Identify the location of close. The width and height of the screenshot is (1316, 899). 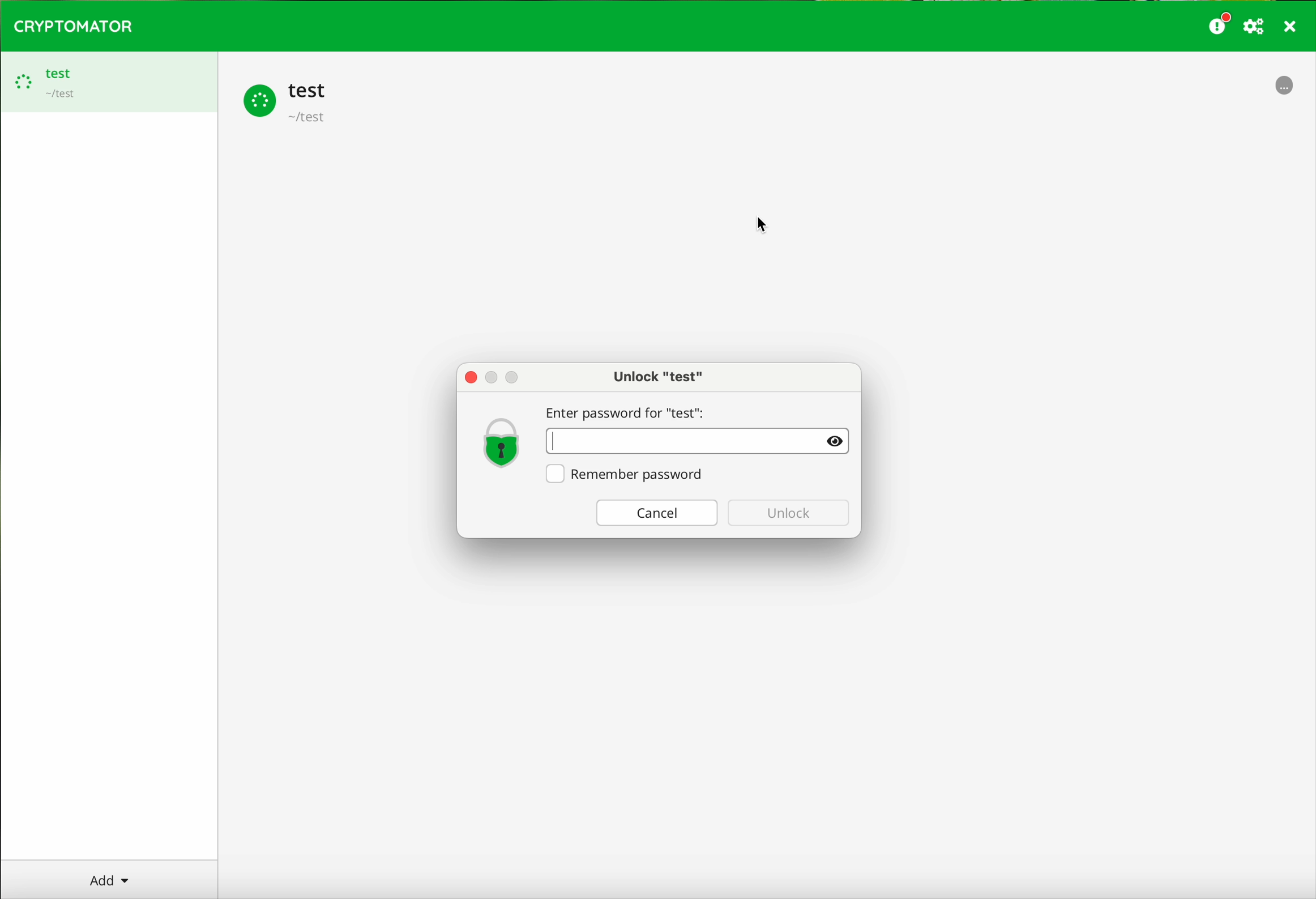
(1291, 28).